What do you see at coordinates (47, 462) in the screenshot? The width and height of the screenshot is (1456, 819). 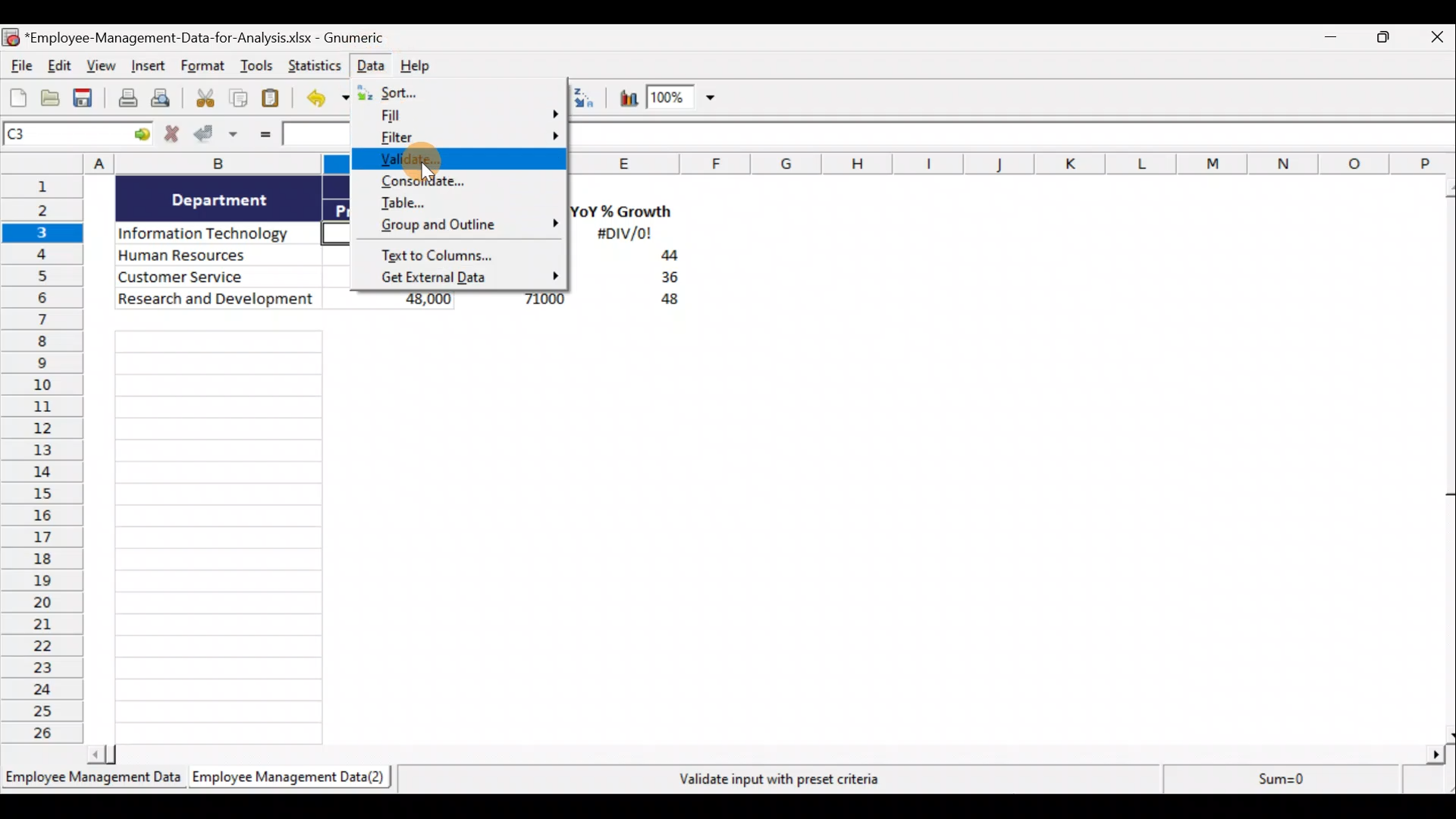 I see `Rows` at bounding box center [47, 462].